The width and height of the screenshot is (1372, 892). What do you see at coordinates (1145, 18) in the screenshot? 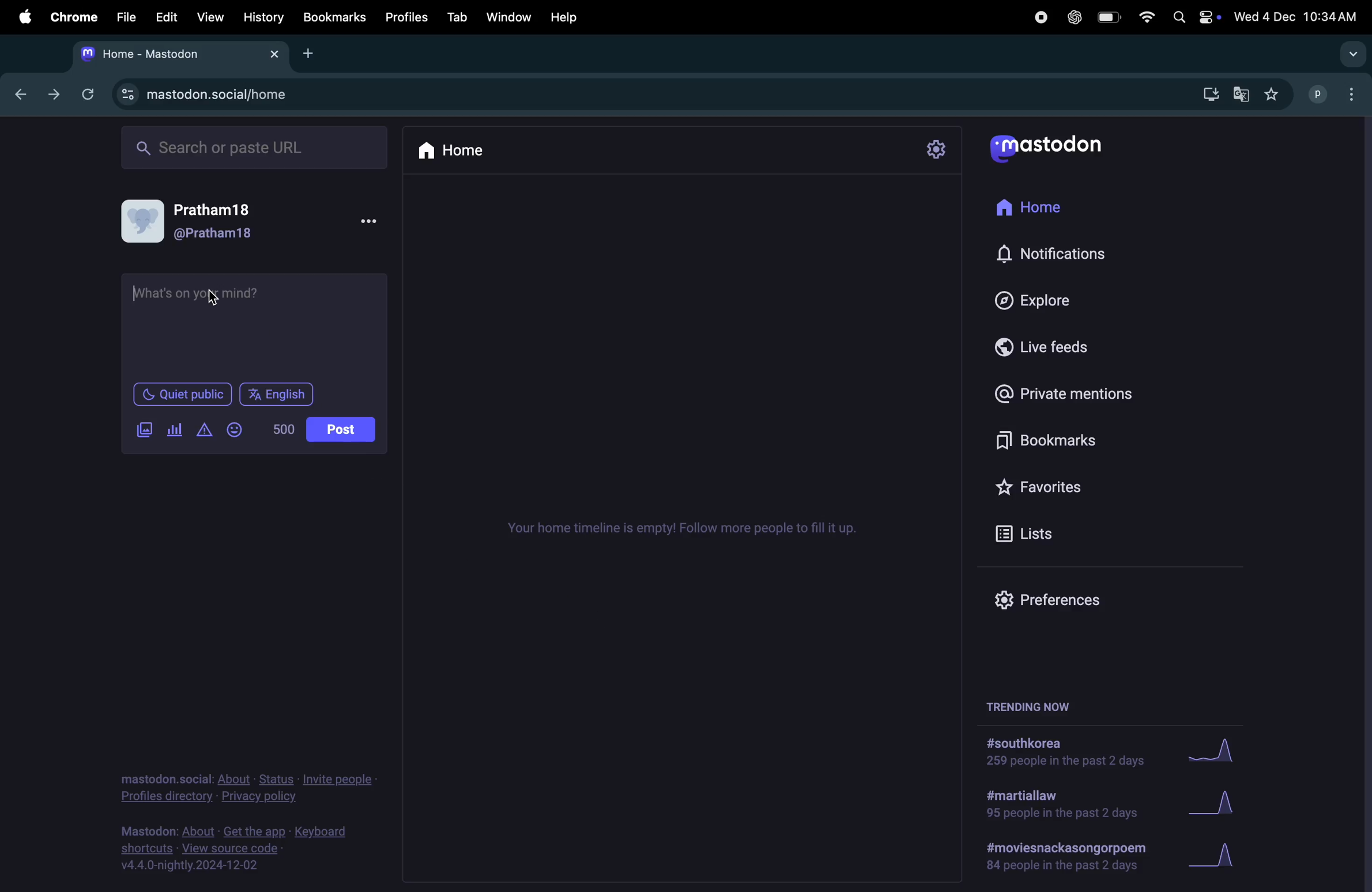
I see `wifi` at bounding box center [1145, 18].